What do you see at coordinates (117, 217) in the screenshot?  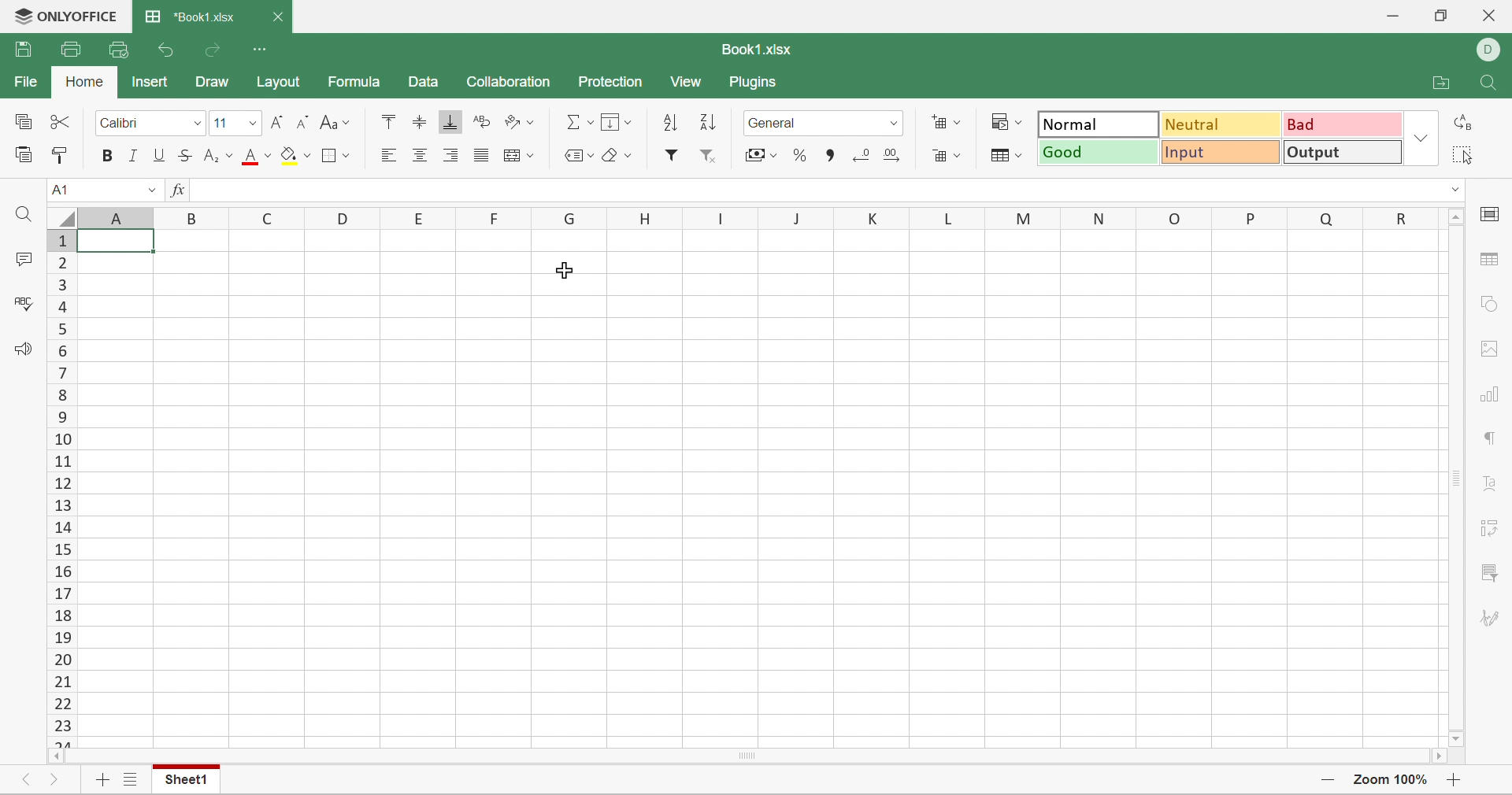 I see `Column names` at bounding box center [117, 217].